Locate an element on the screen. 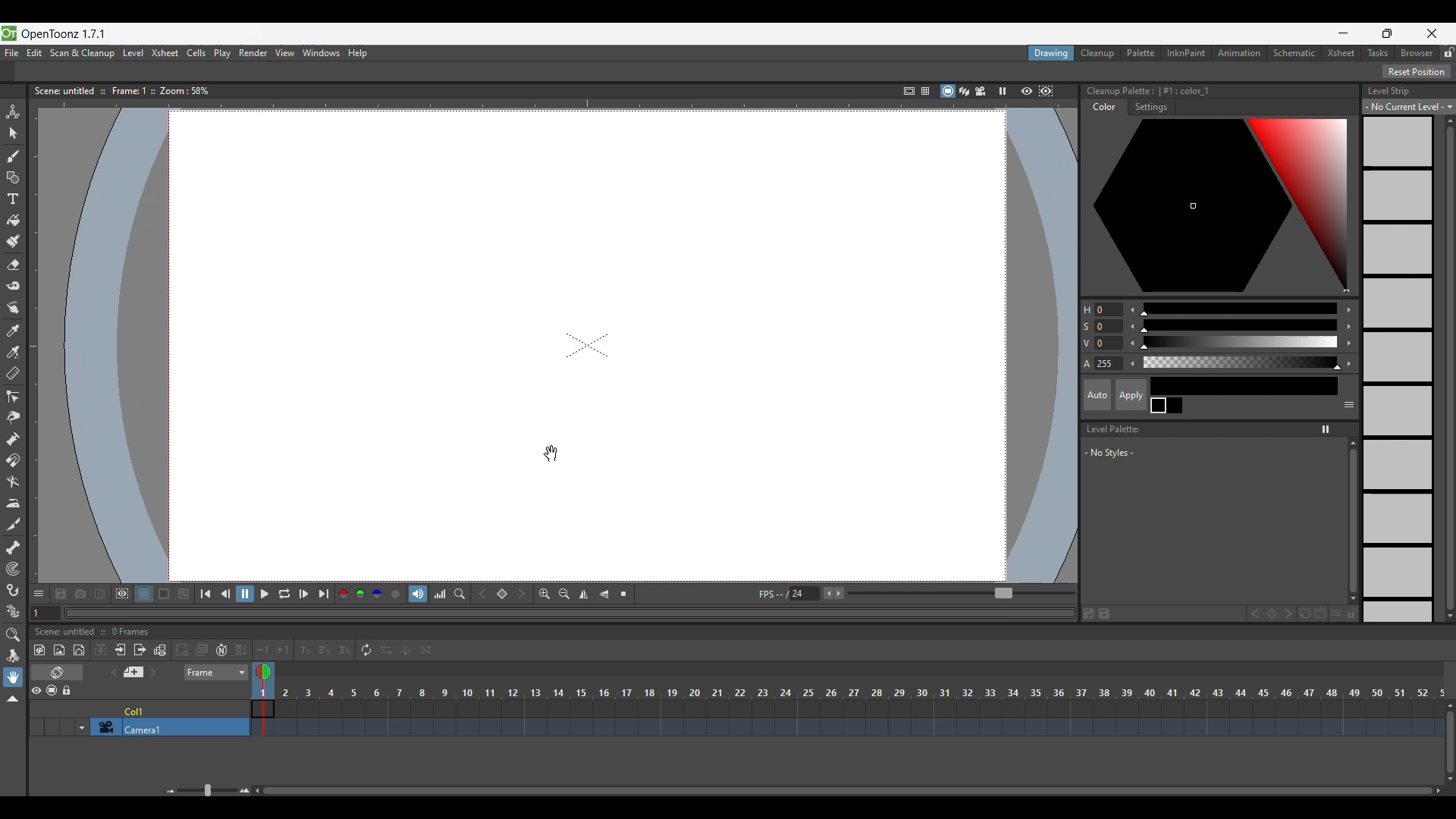 The height and width of the screenshot is (819, 1456). Finger tool is located at coordinates (13, 307).